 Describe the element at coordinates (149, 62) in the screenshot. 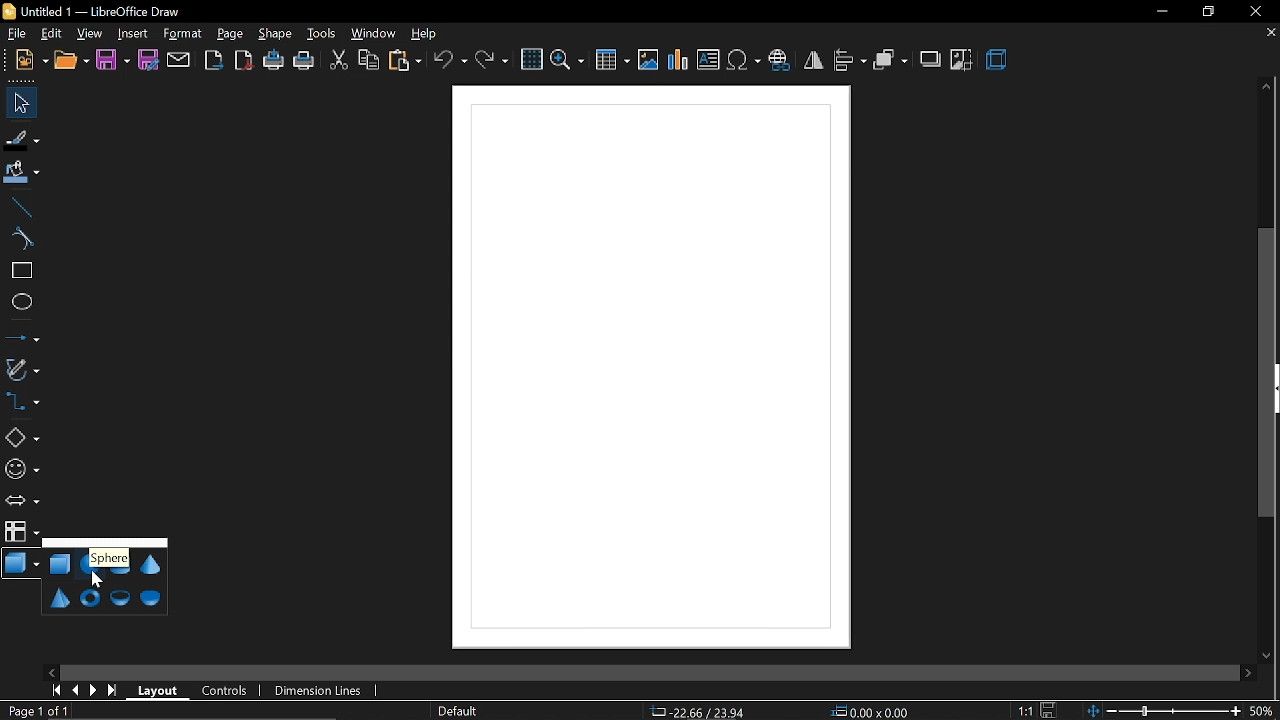

I see `save as` at that location.